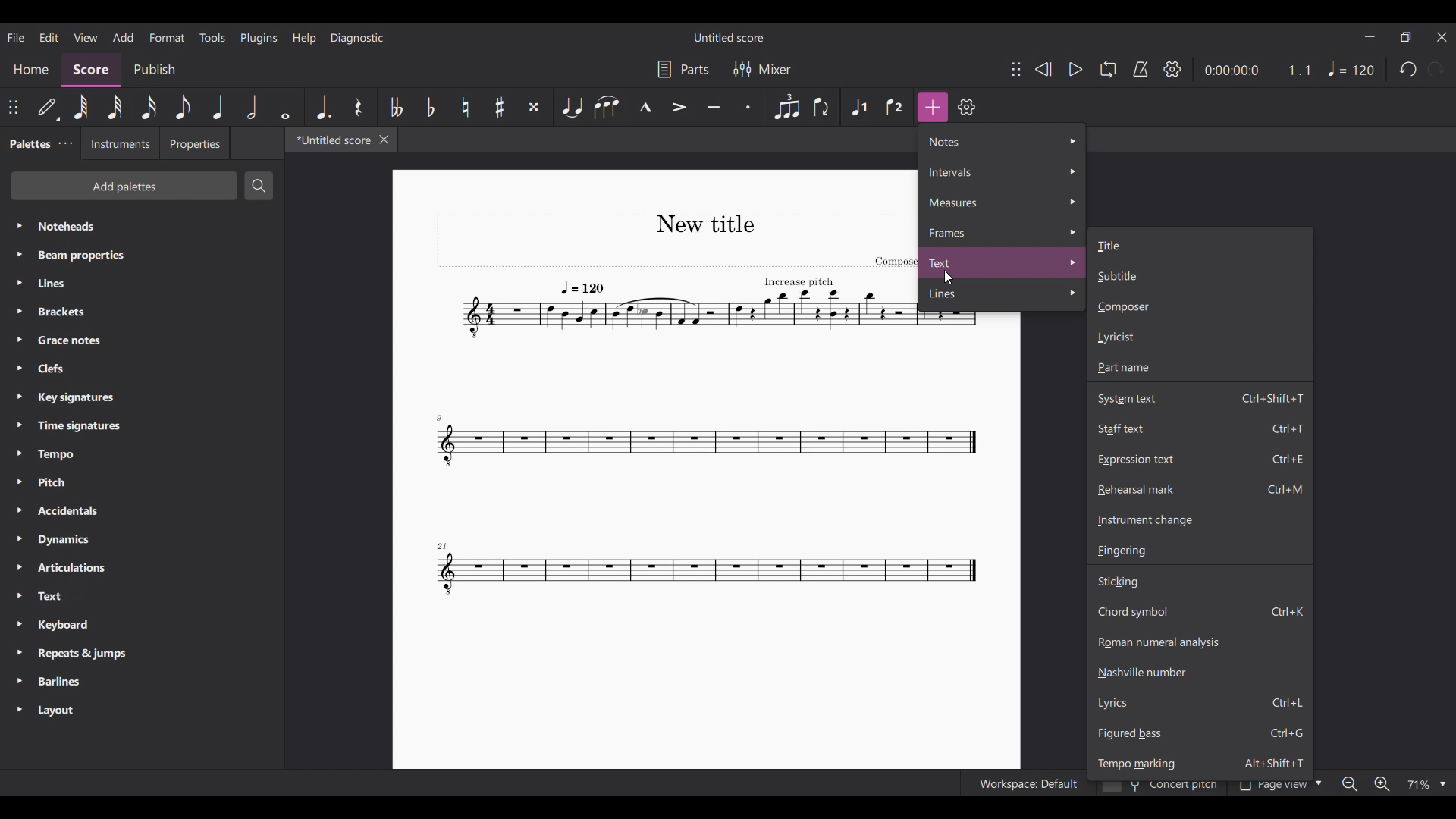 This screenshot has height=819, width=1456. Describe the element at coordinates (1043, 69) in the screenshot. I see `Rewind` at that location.